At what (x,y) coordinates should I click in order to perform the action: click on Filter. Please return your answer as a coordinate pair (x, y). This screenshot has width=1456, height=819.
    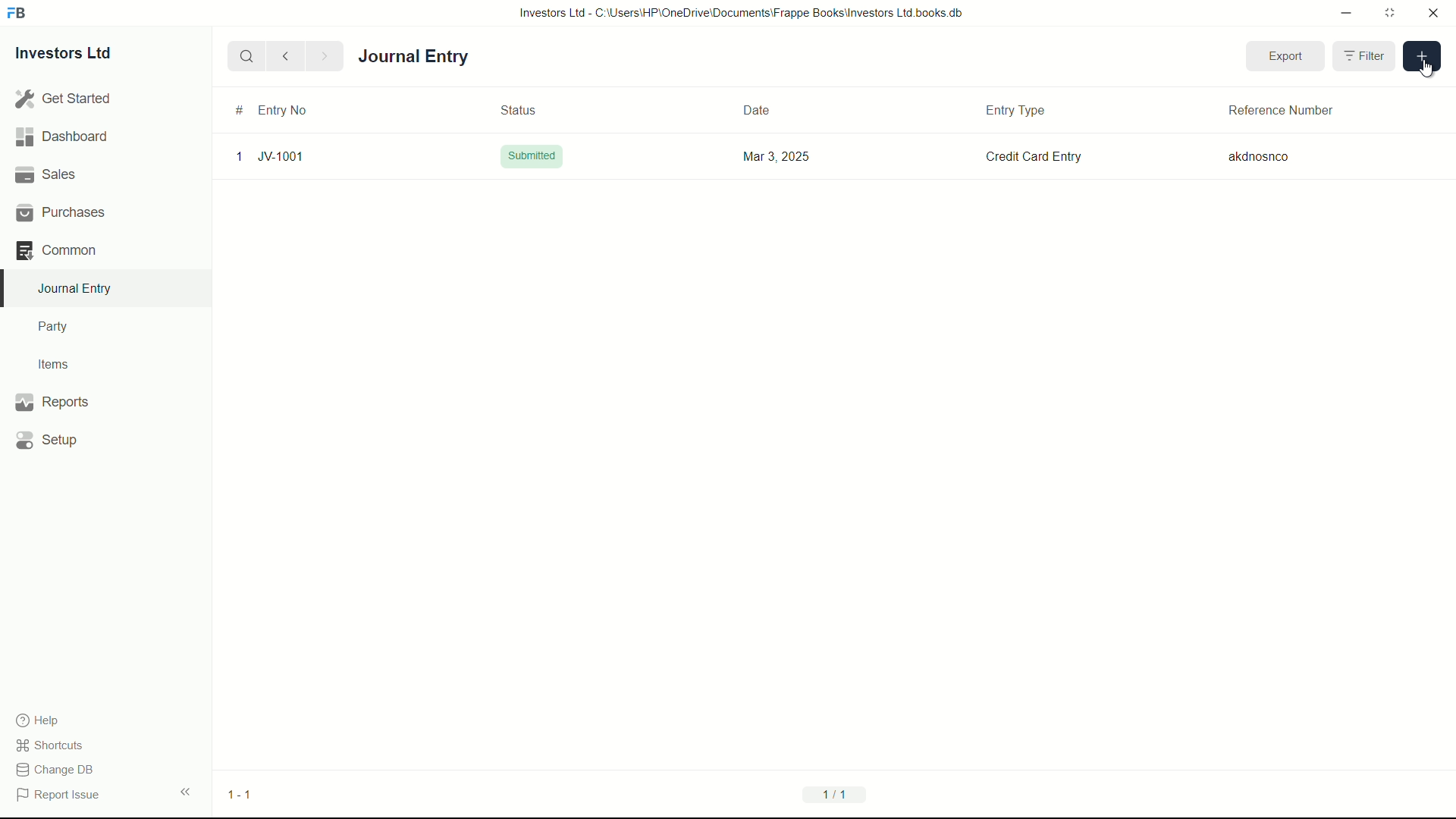
    Looking at the image, I should click on (1365, 57).